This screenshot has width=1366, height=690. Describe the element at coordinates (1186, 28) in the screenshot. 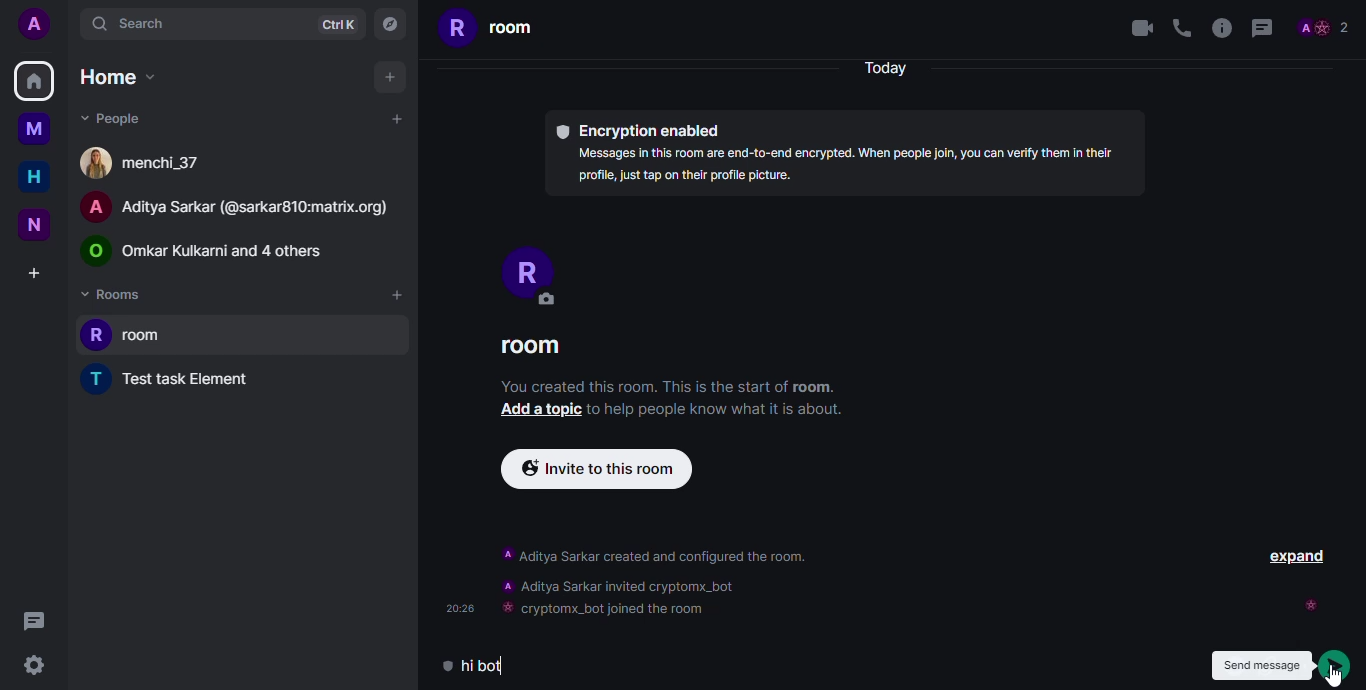

I see `voice call` at that location.